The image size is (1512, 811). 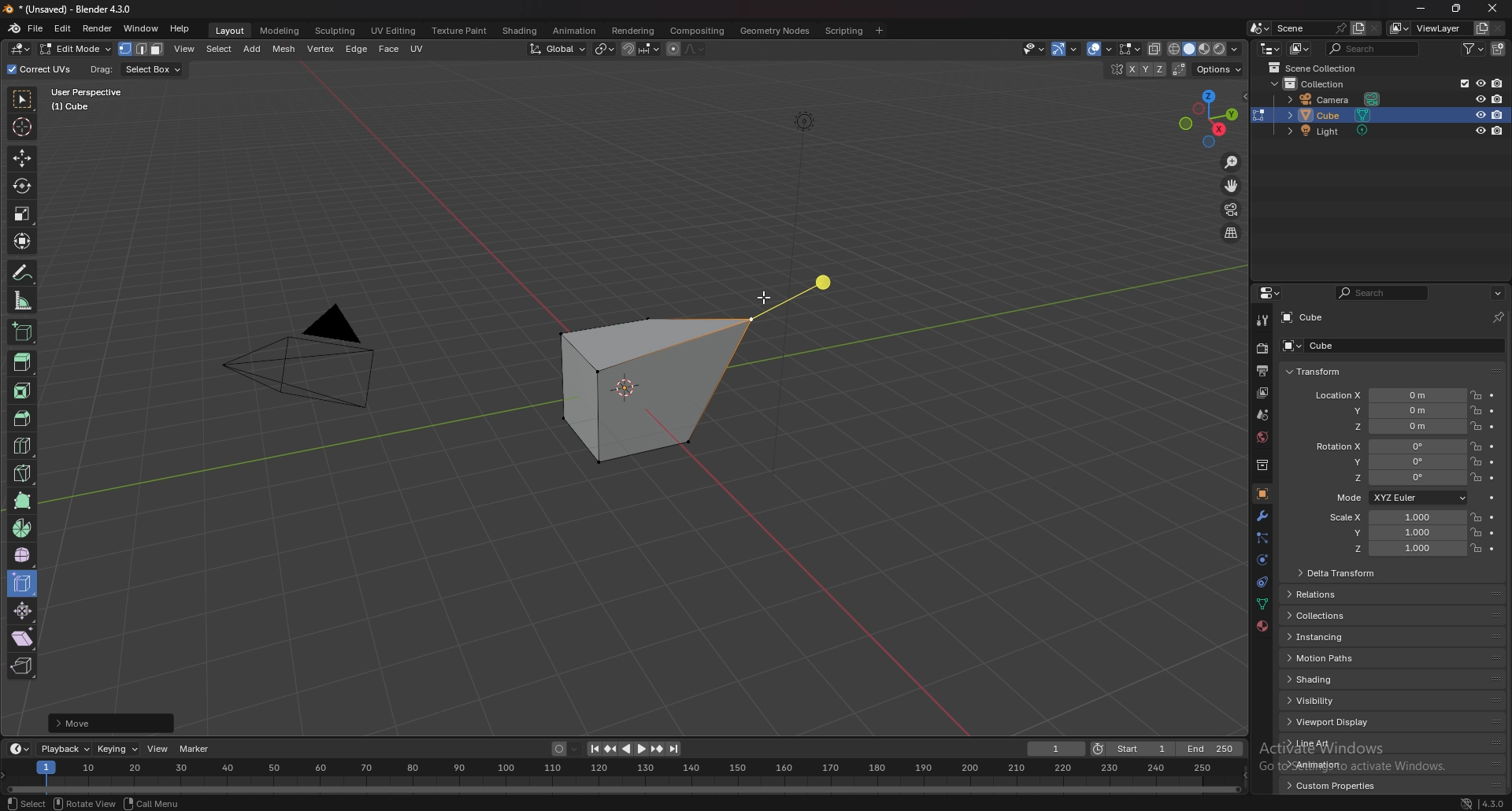 What do you see at coordinates (1499, 49) in the screenshot?
I see `new collection` at bounding box center [1499, 49].